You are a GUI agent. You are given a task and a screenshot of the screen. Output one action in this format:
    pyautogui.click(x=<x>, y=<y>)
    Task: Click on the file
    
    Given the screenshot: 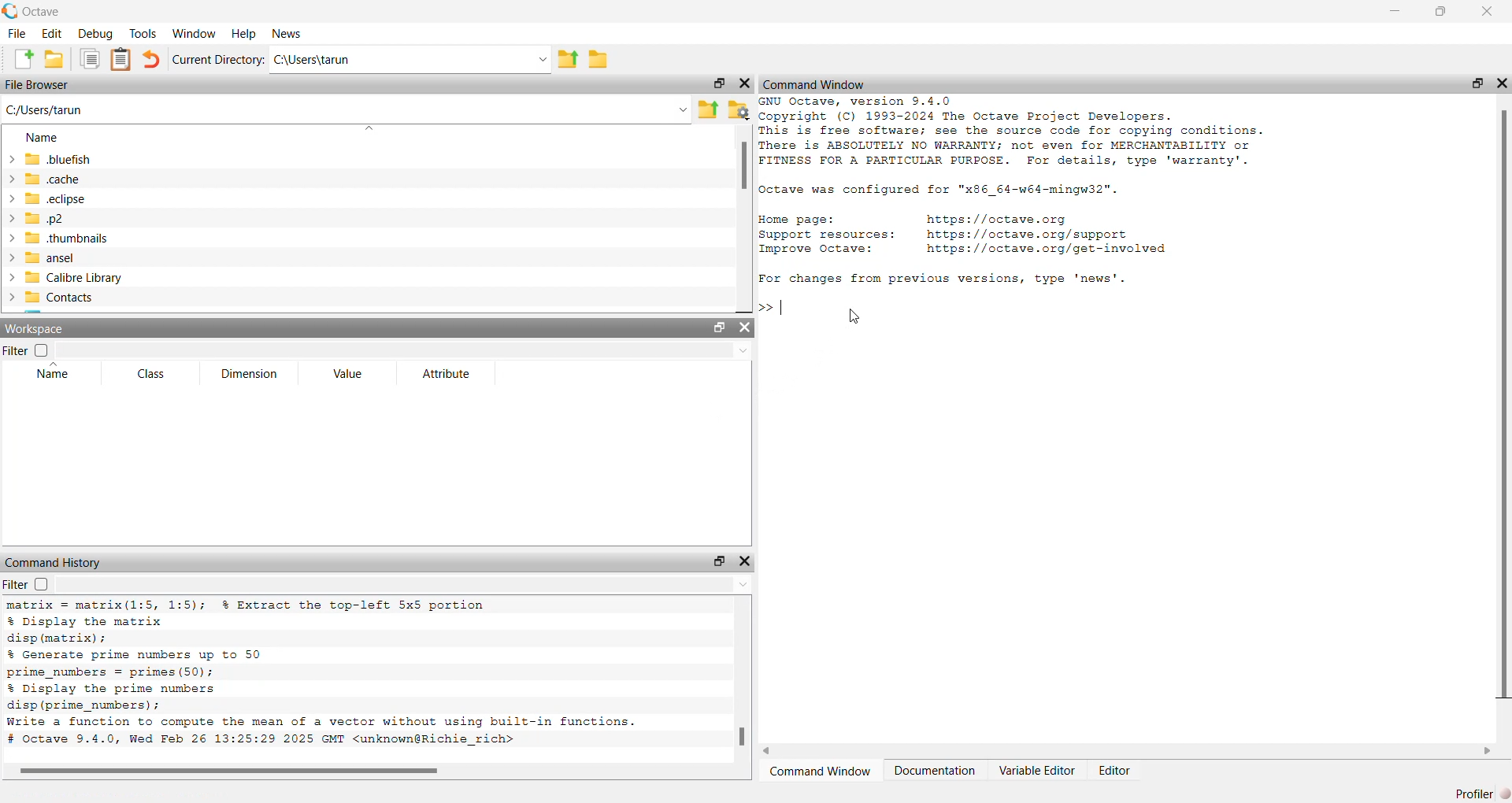 What is the action you would take?
    pyautogui.click(x=17, y=34)
    